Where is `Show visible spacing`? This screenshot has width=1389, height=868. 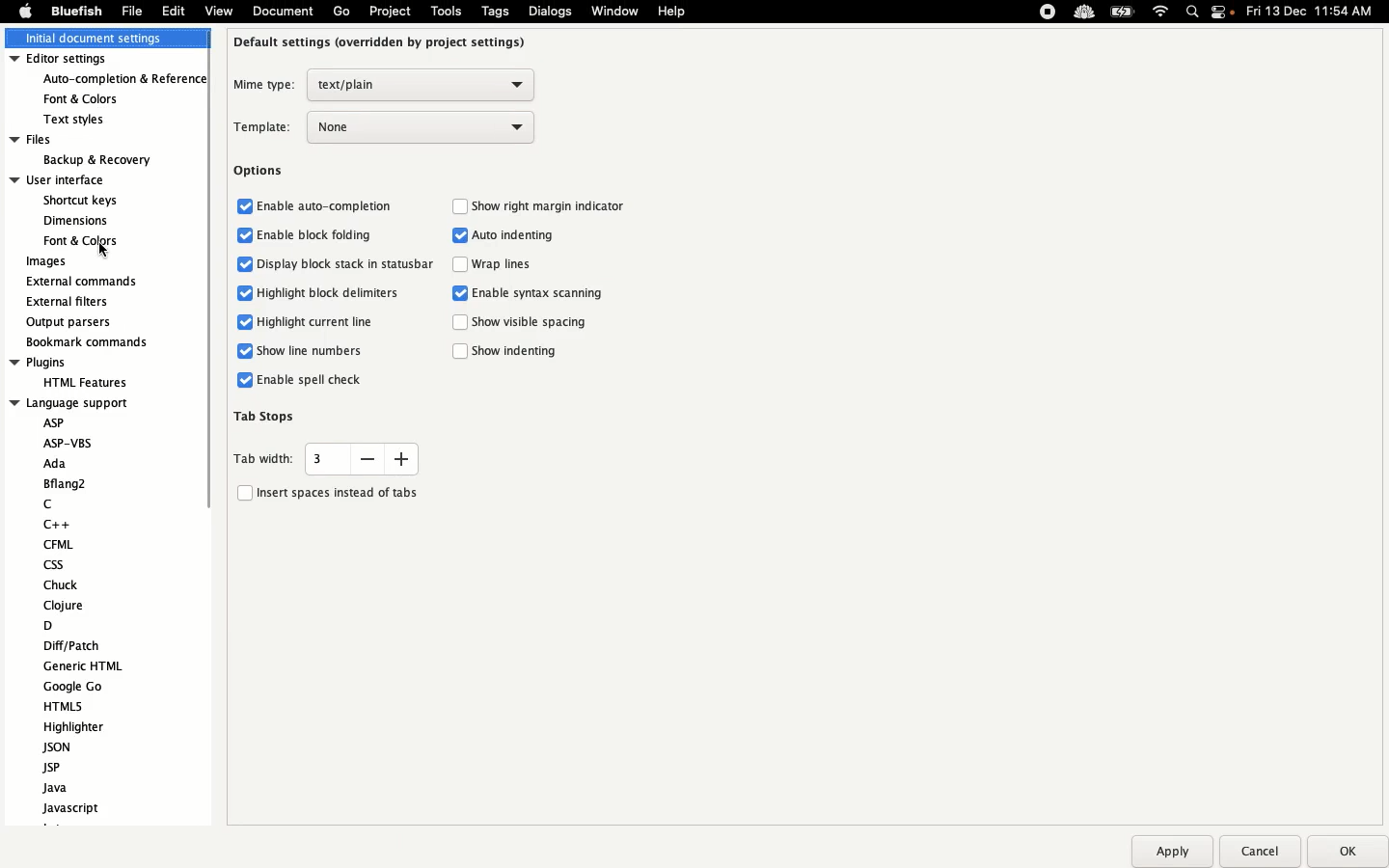
Show visible spacing is located at coordinates (522, 324).